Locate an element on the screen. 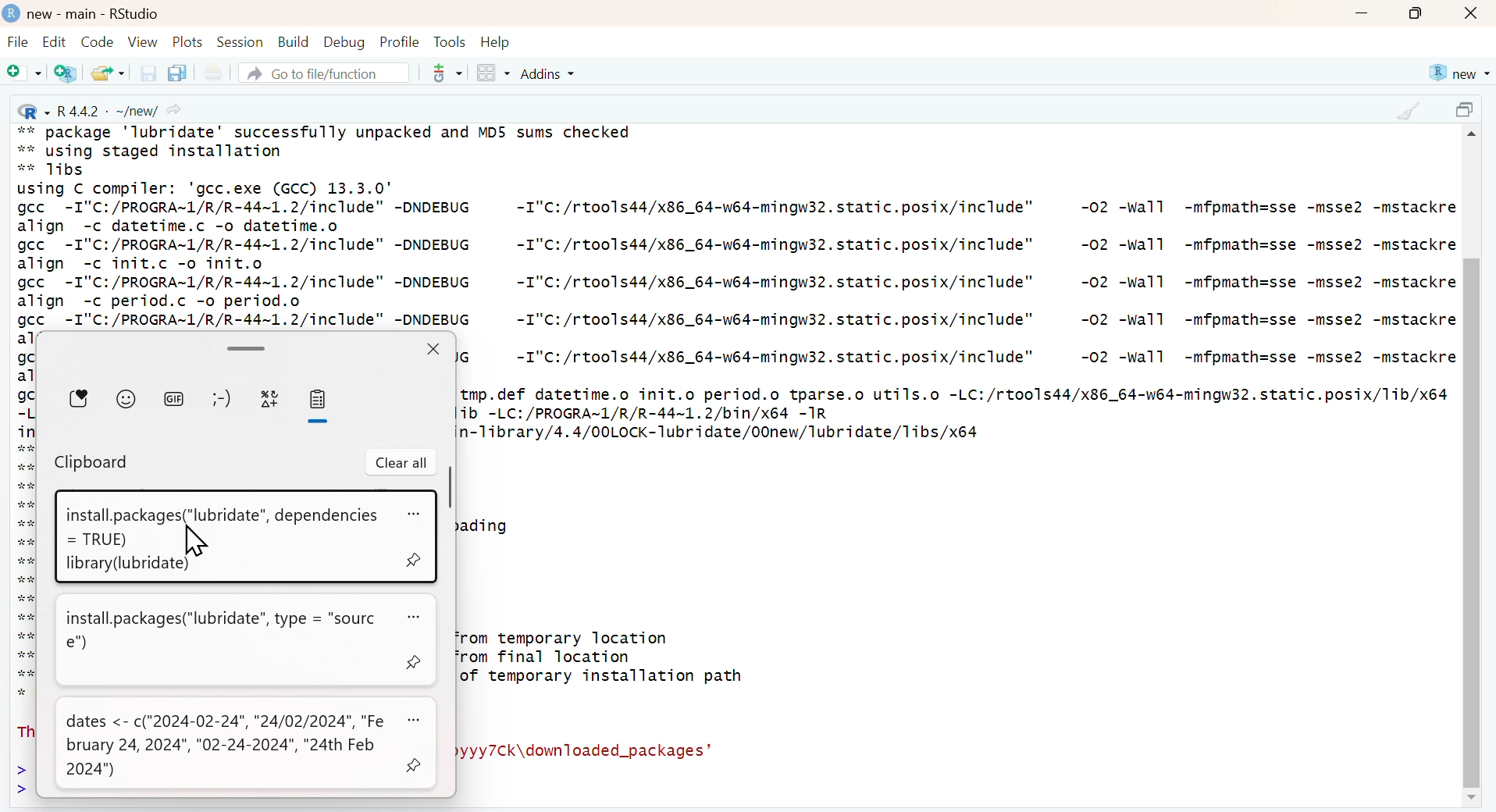 The width and height of the screenshot is (1496, 812). Profile is located at coordinates (400, 41).